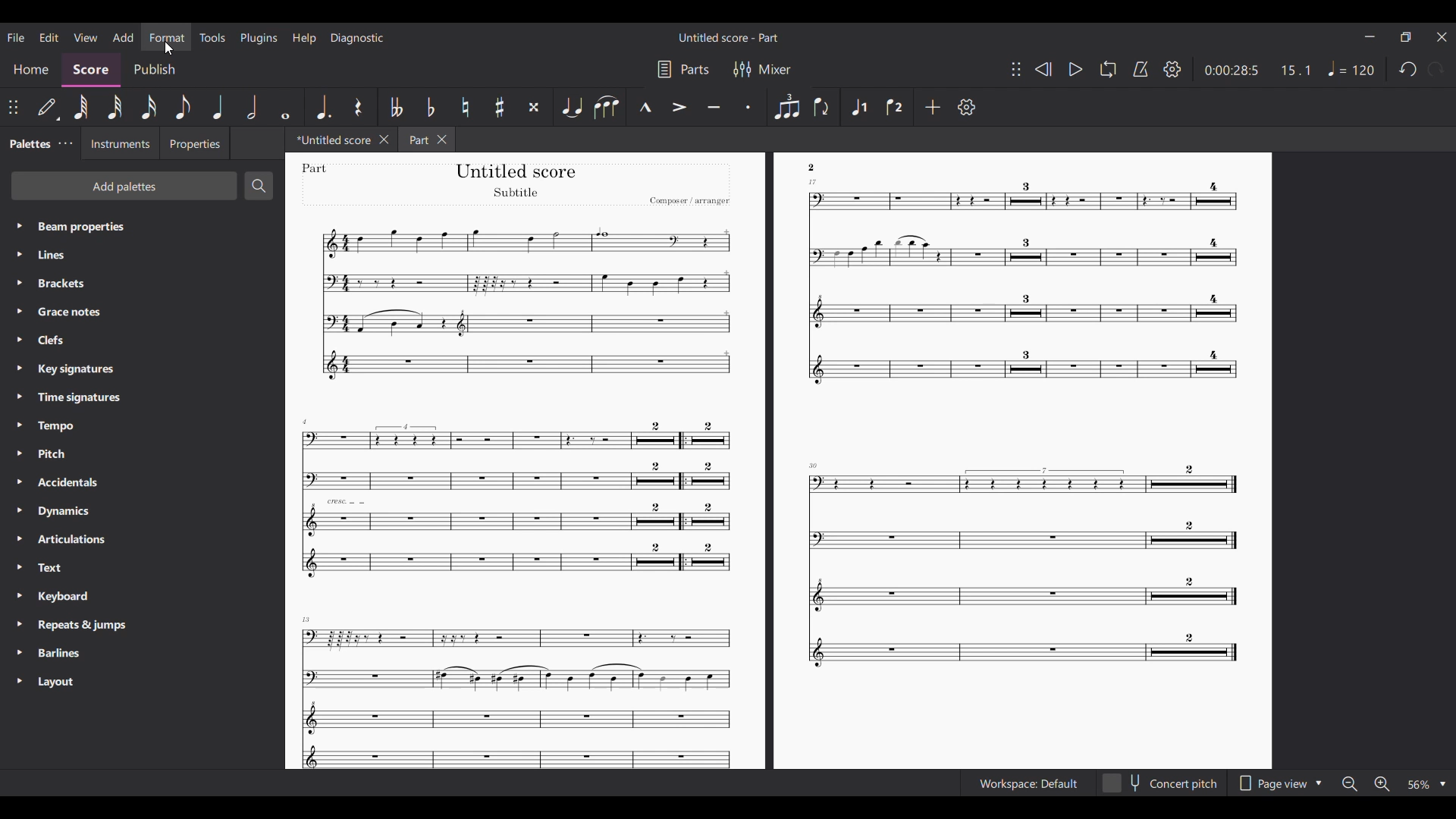  I want to click on Palette tab settings, so click(65, 143).